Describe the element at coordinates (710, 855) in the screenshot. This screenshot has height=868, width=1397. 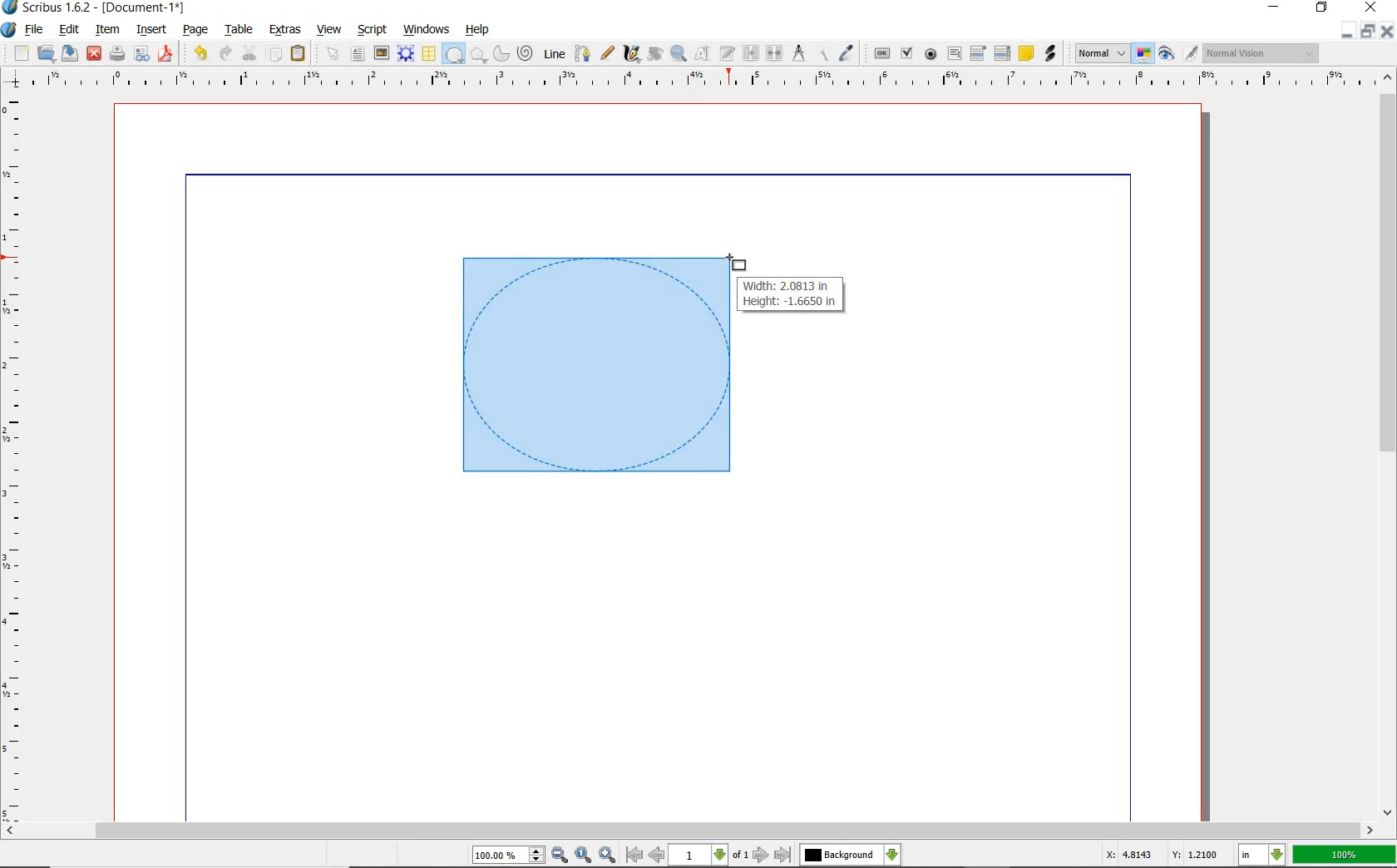
I see `1 of 1` at that location.